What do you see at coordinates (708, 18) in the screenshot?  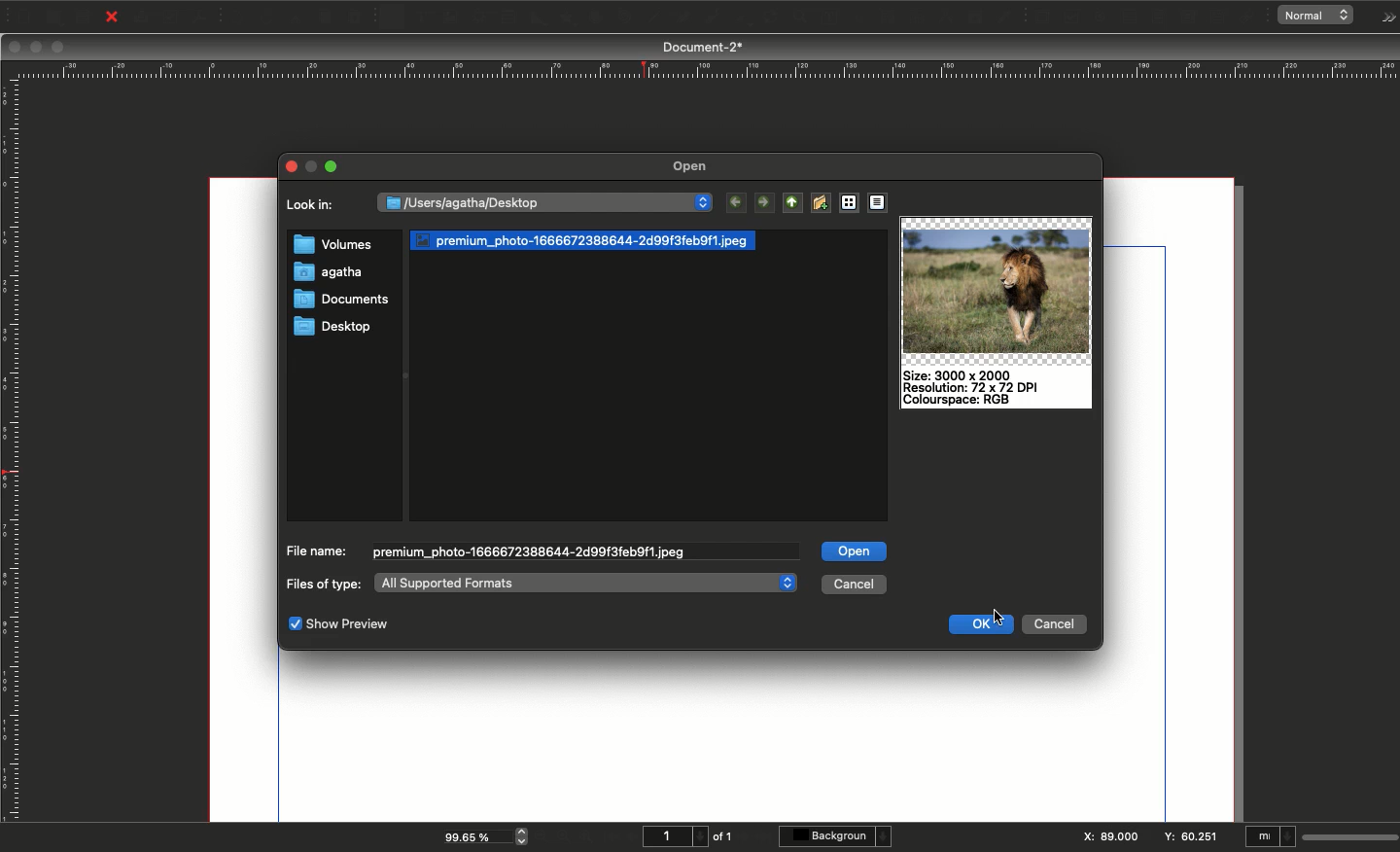 I see `Freehand line` at bounding box center [708, 18].